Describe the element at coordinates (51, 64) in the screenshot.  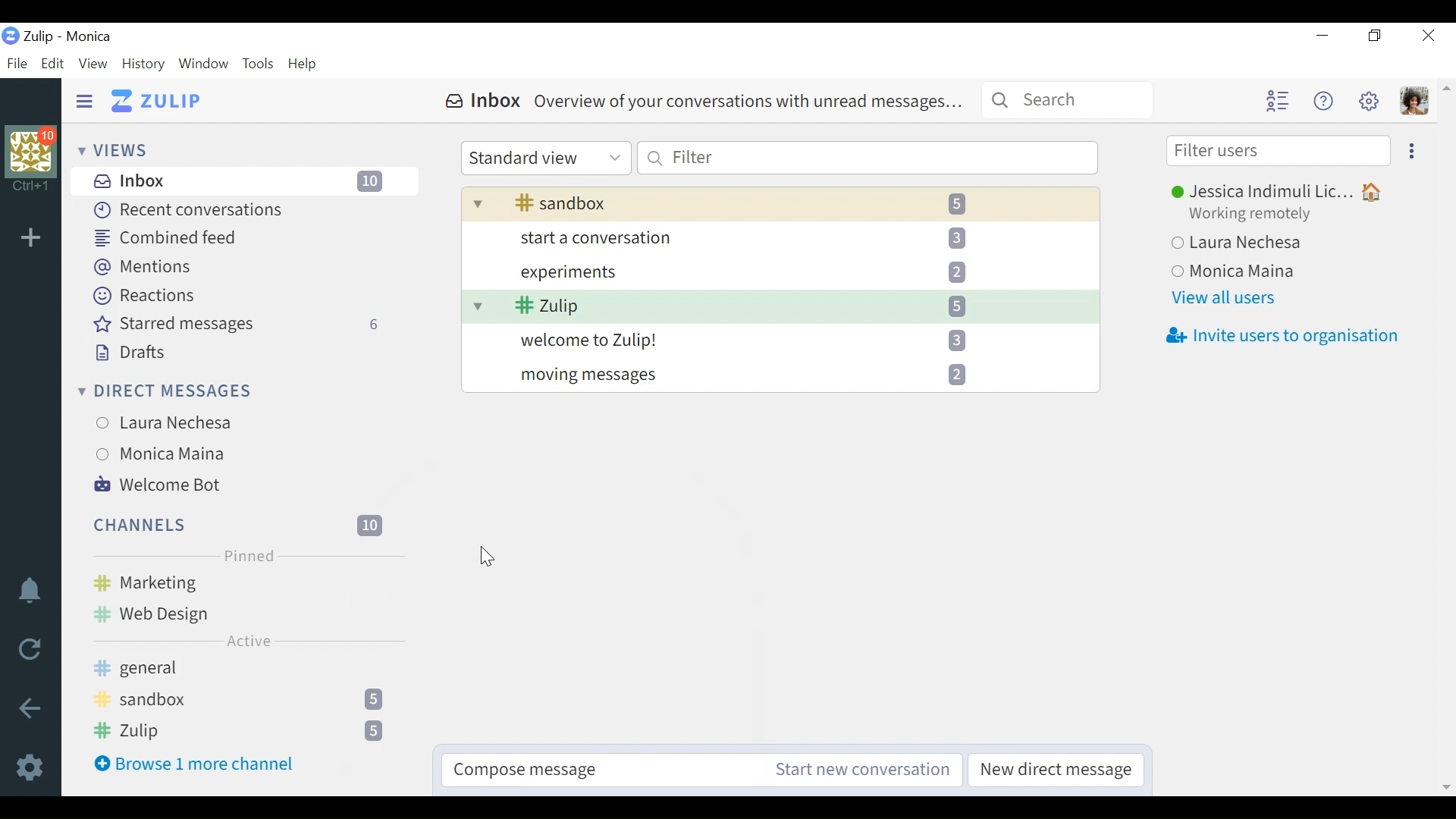
I see `Edit` at that location.